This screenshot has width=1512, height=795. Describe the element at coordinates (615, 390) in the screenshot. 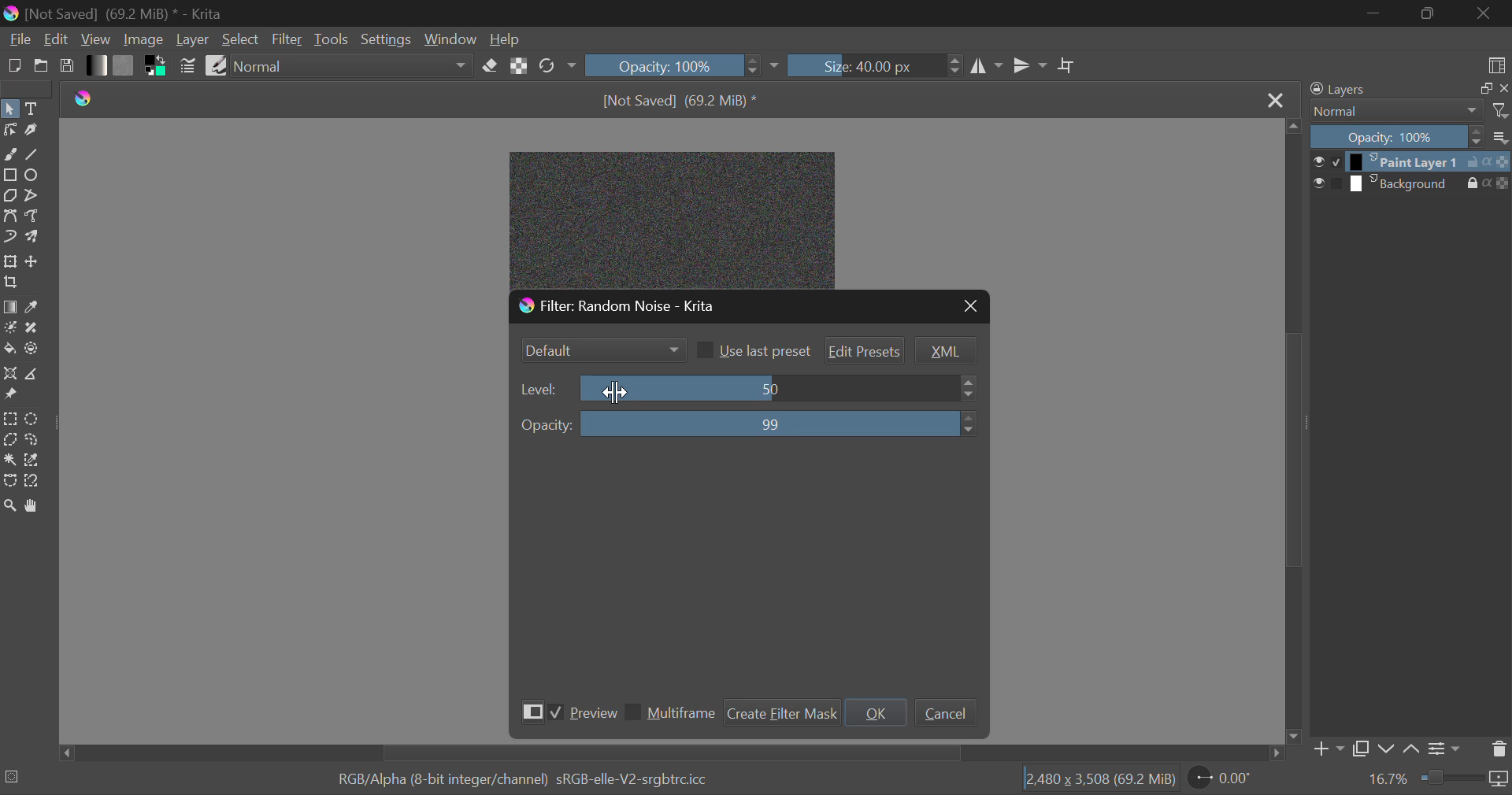

I see `Cursor Position` at that location.